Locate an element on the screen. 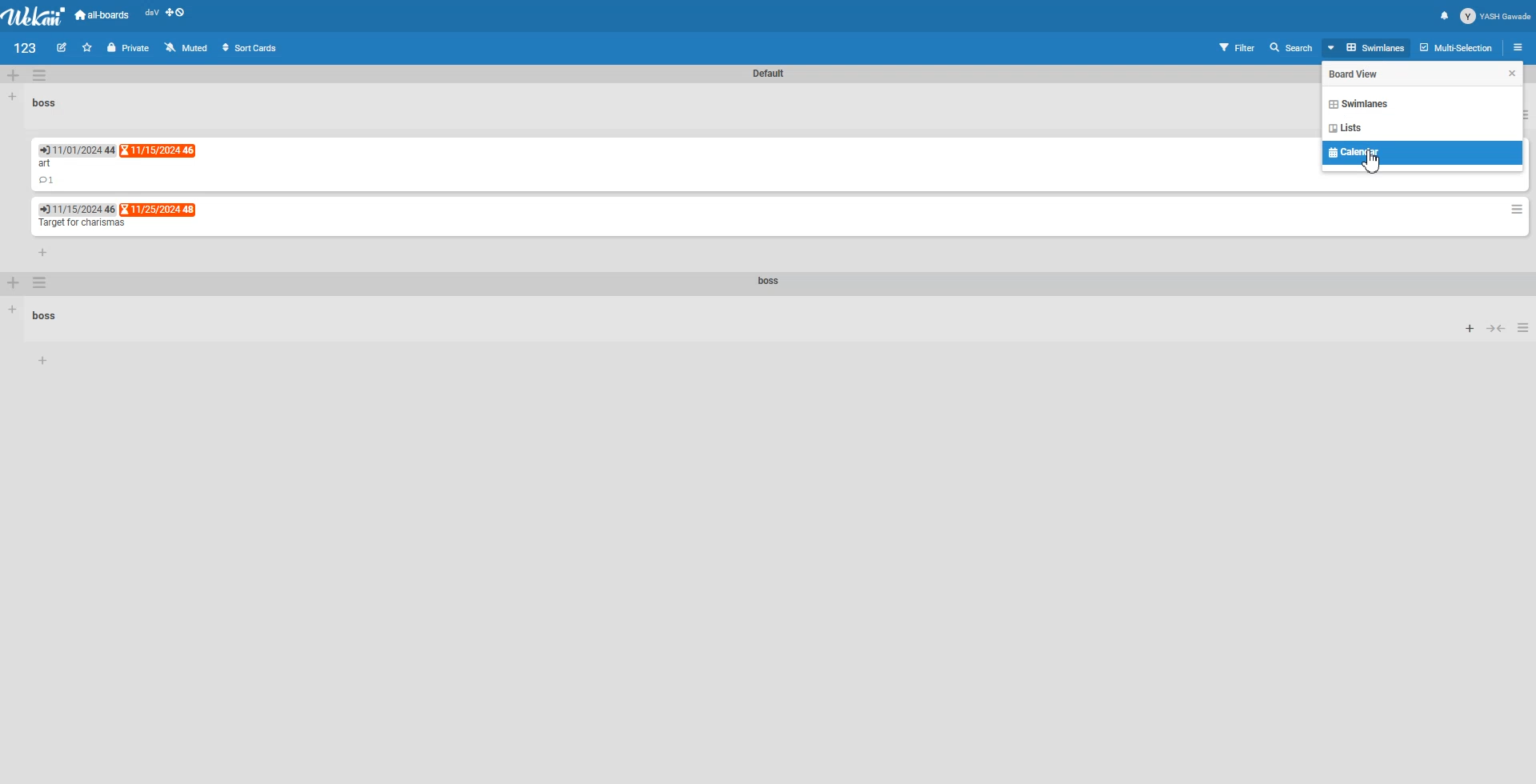 Image resolution: width=1536 pixels, height=784 pixels. Logo is located at coordinates (35, 16).